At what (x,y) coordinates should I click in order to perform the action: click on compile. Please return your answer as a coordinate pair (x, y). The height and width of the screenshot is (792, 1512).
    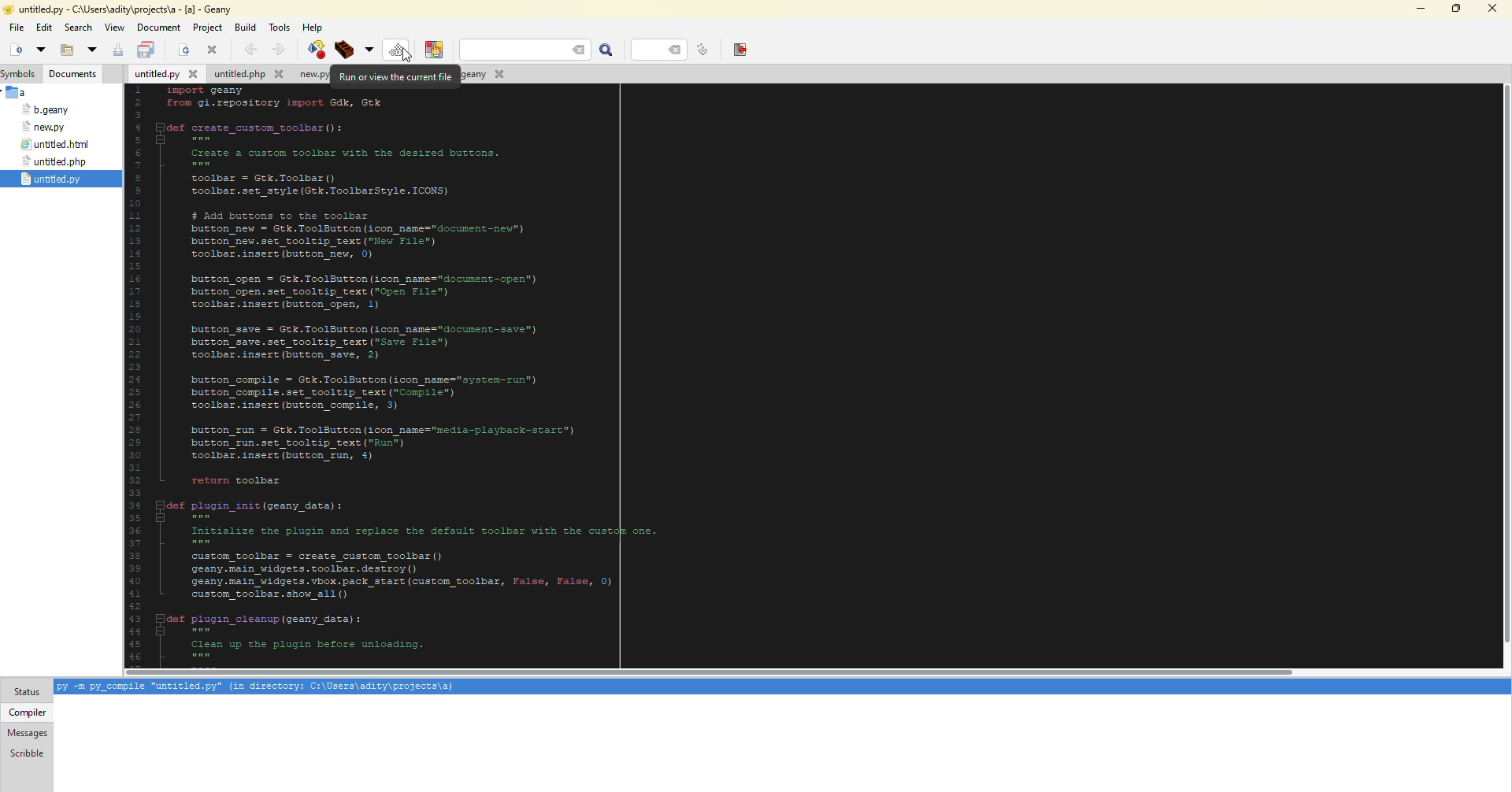
    Looking at the image, I should click on (319, 48).